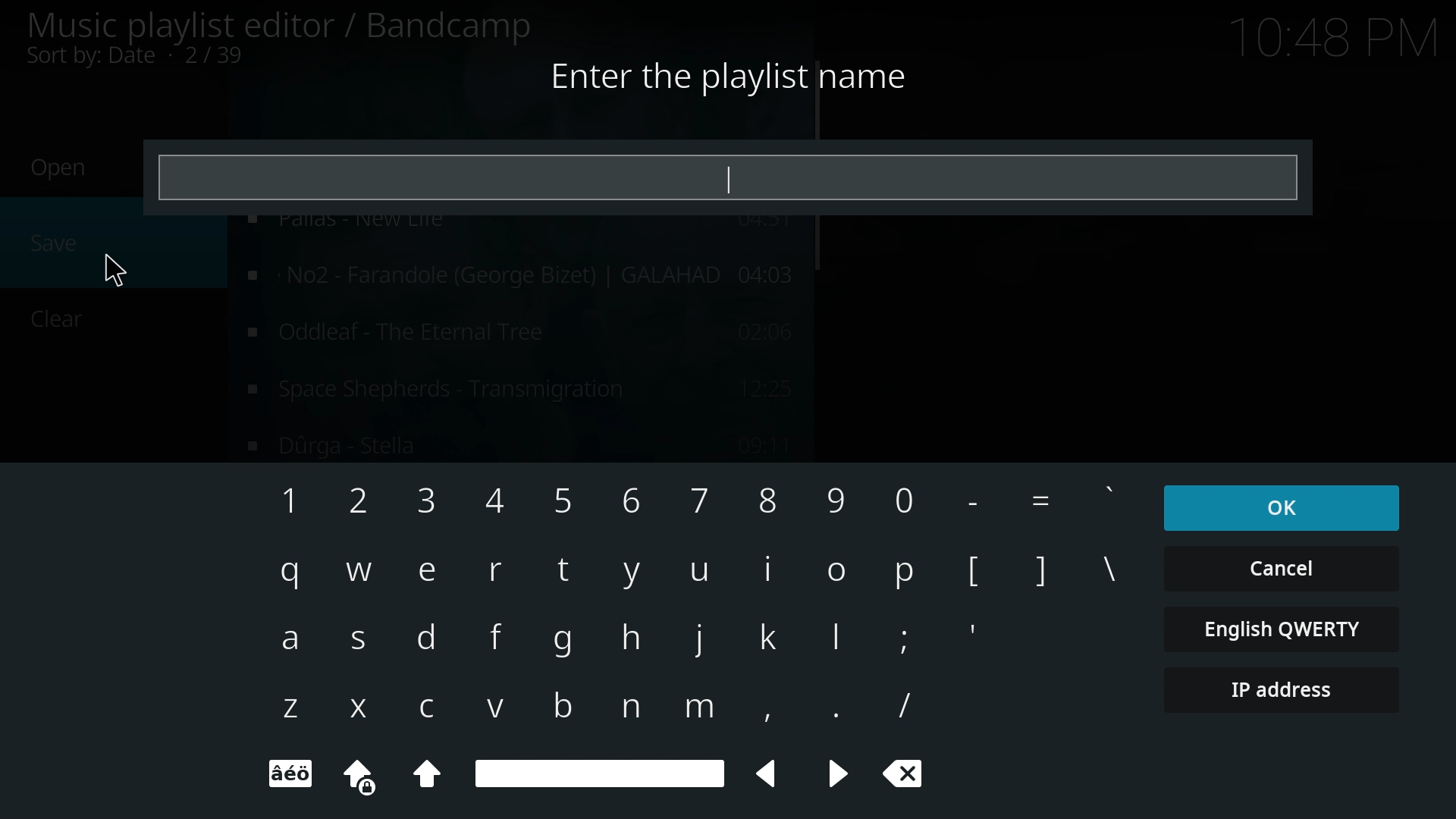  What do you see at coordinates (730, 178) in the screenshot?
I see `input` at bounding box center [730, 178].